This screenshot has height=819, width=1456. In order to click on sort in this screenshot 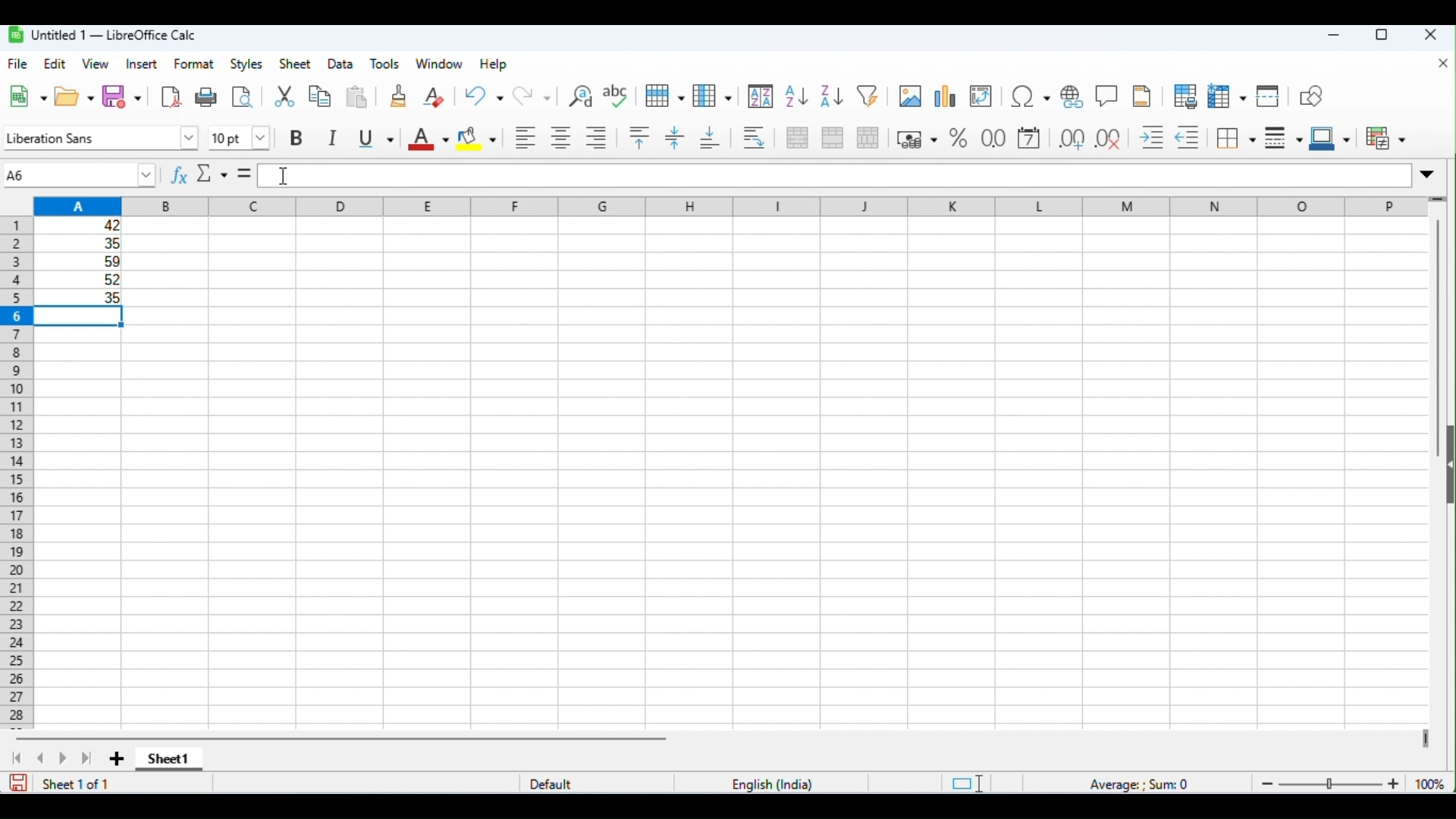, I will do `click(761, 96)`.